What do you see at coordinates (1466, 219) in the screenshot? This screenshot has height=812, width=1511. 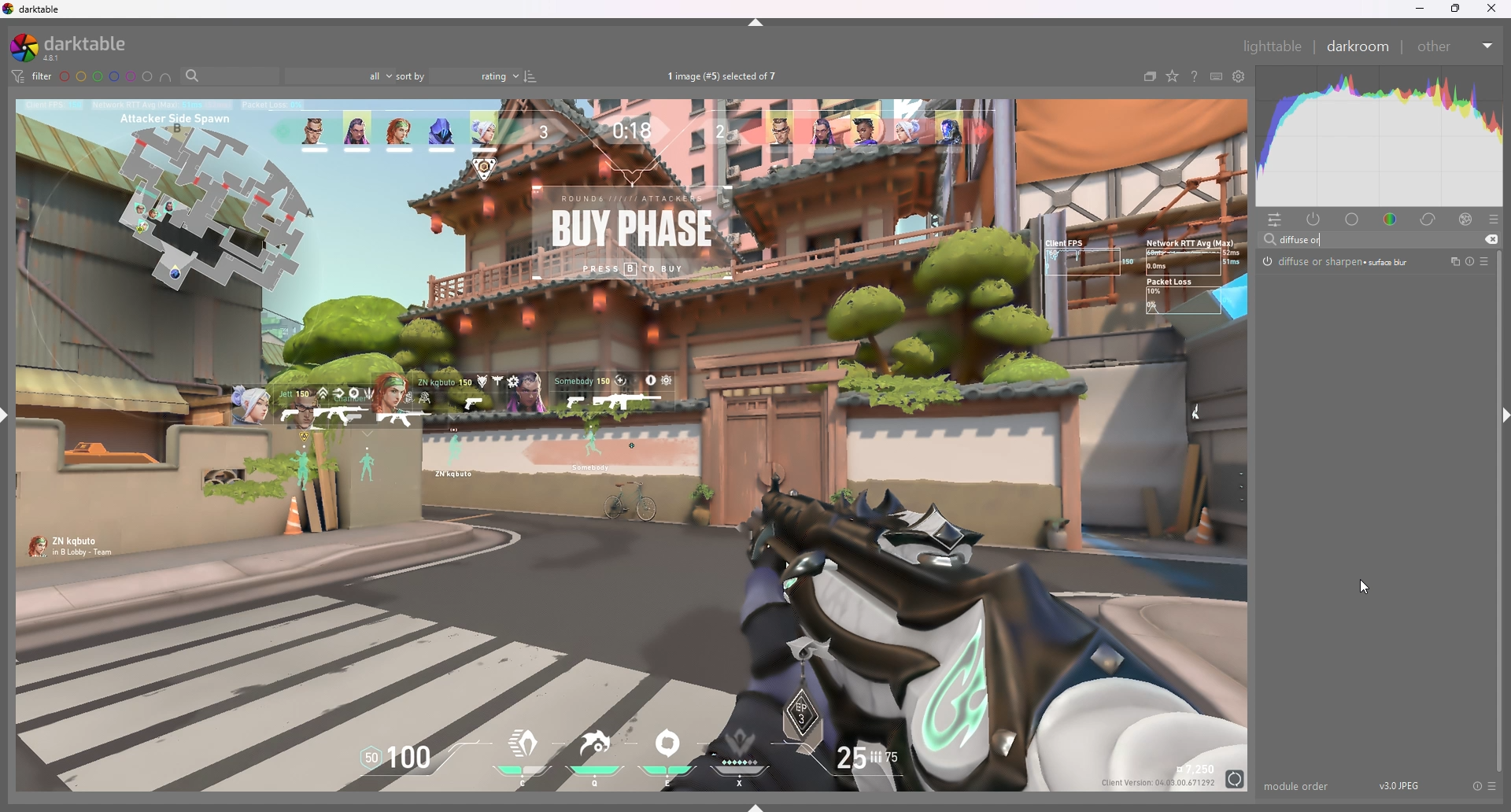 I see `effect` at bounding box center [1466, 219].